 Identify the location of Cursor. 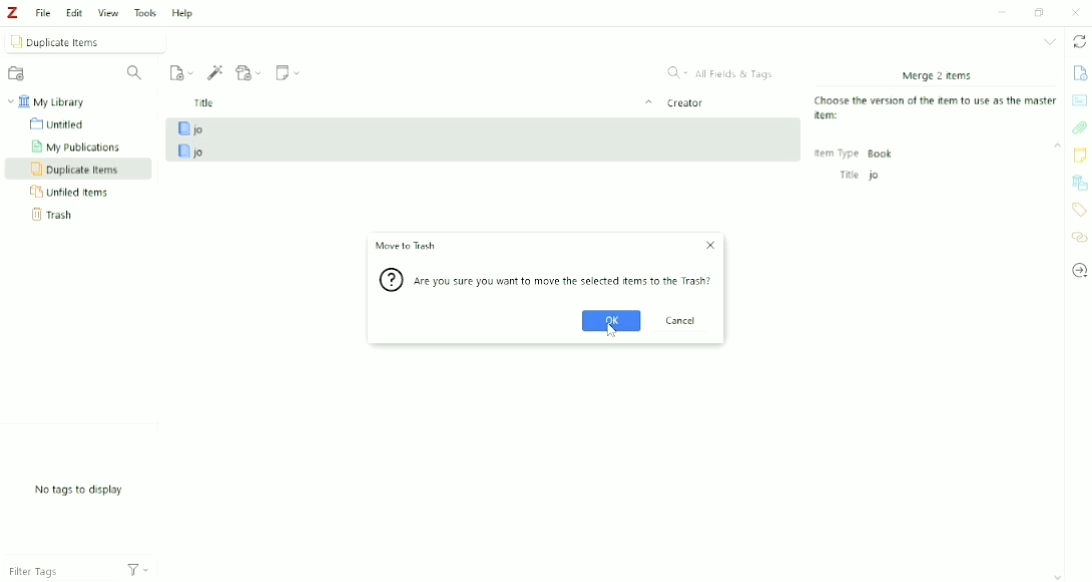
(612, 333).